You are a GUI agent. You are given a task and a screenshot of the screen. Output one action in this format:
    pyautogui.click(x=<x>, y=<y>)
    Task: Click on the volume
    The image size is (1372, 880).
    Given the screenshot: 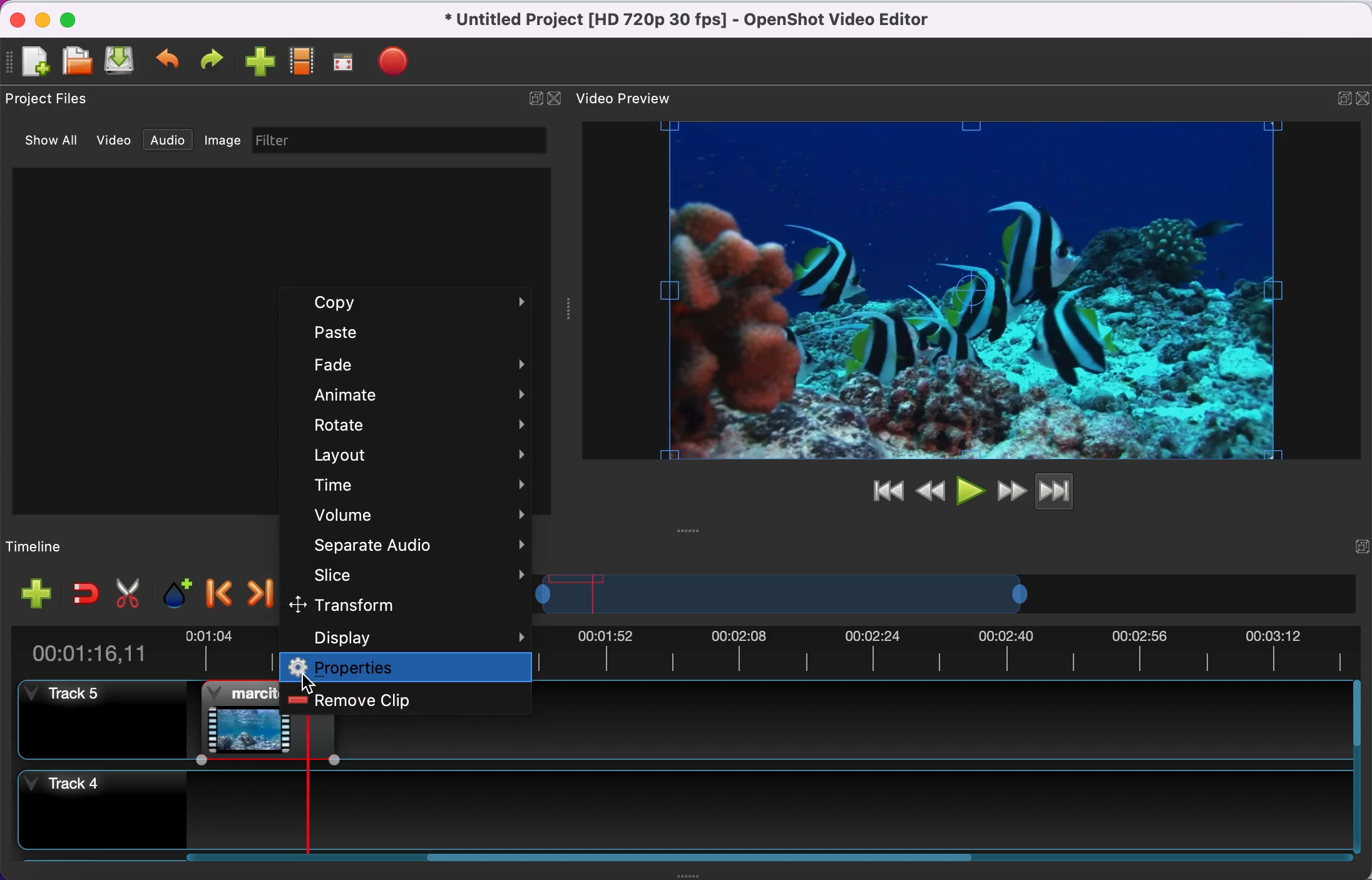 What is the action you would take?
    pyautogui.click(x=412, y=515)
    